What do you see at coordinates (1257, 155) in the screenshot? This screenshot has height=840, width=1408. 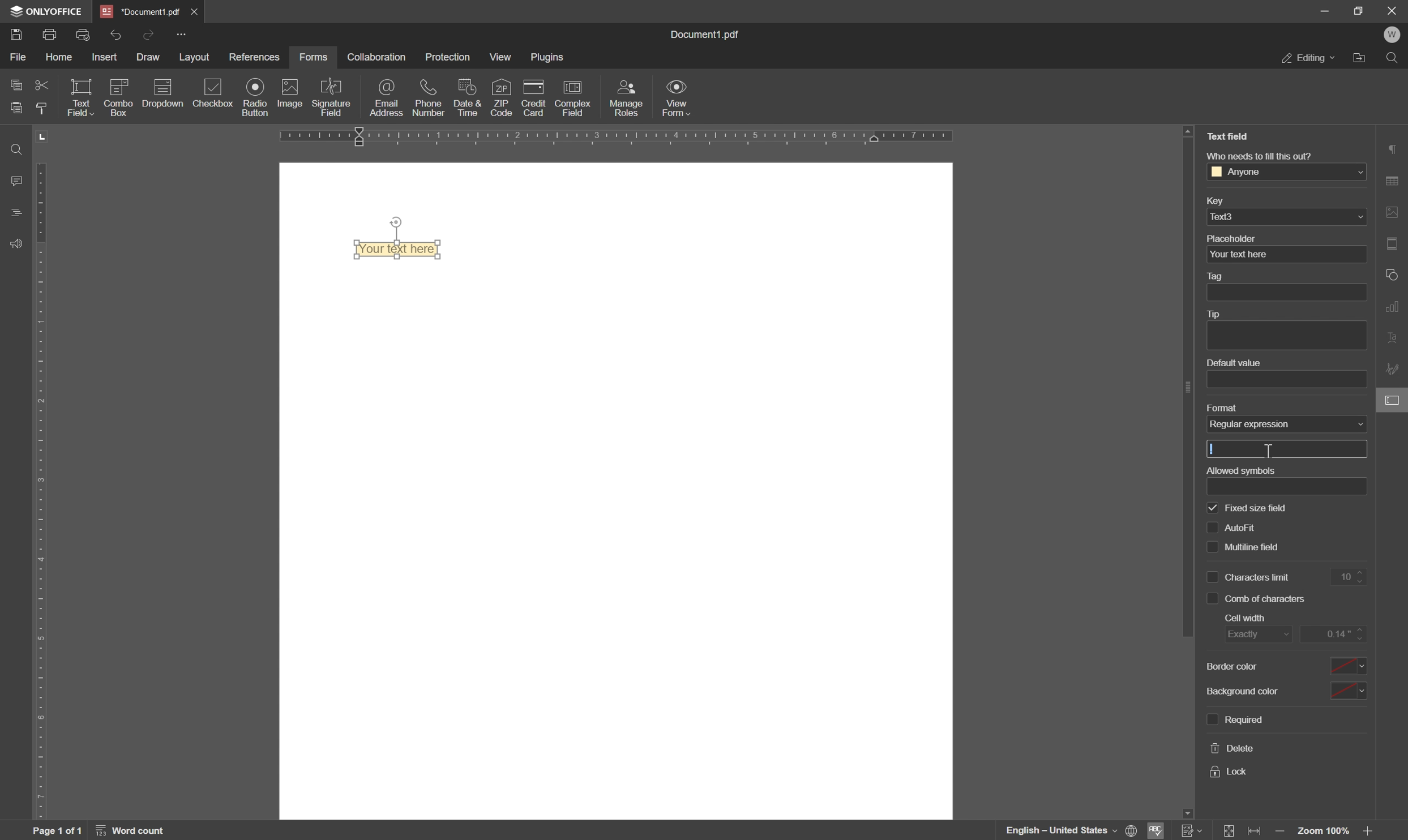 I see `who needs to fill this out?` at bounding box center [1257, 155].